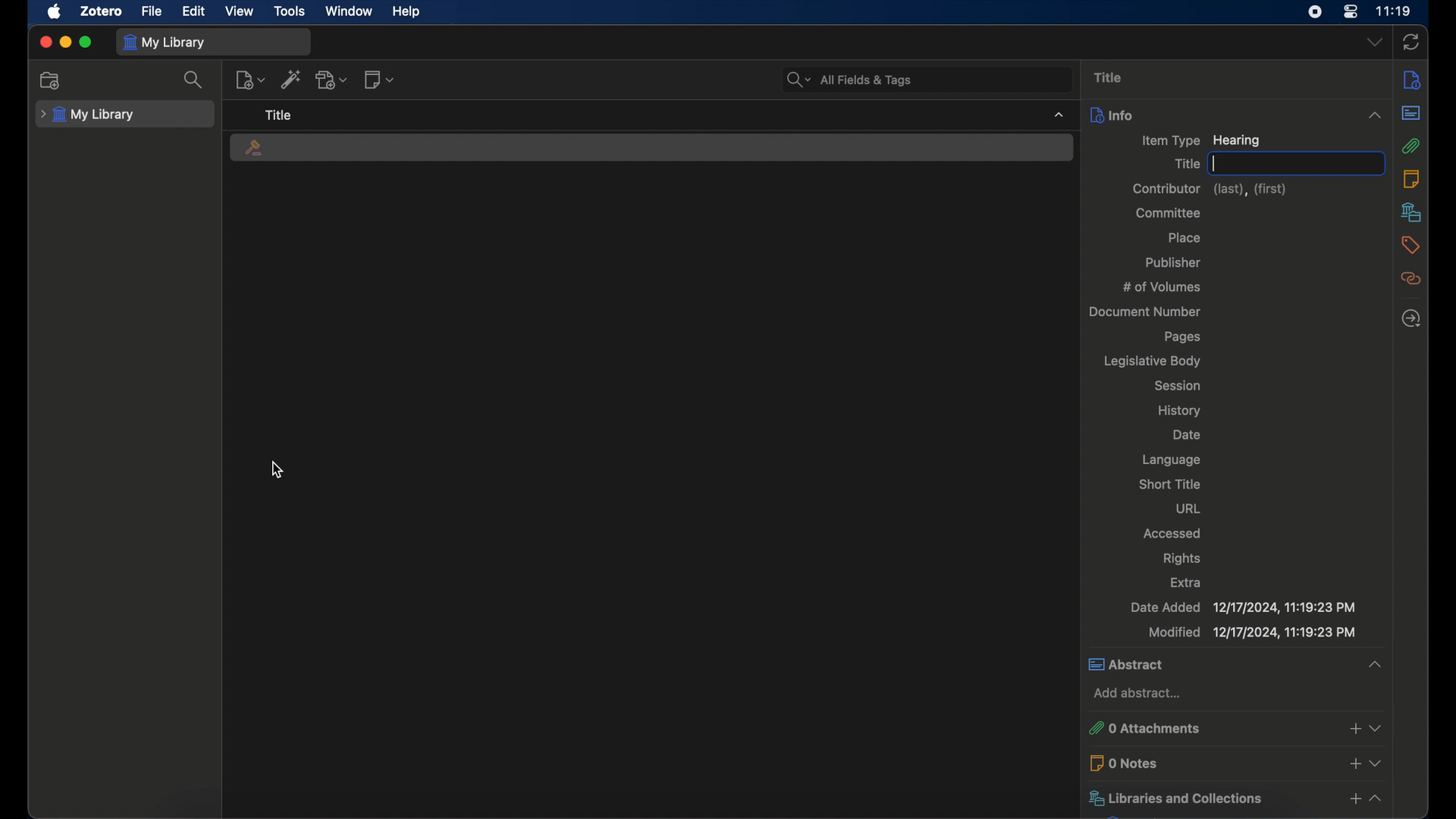 The width and height of the screenshot is (1456, 819). I want to click on url, so click(1188, 509).